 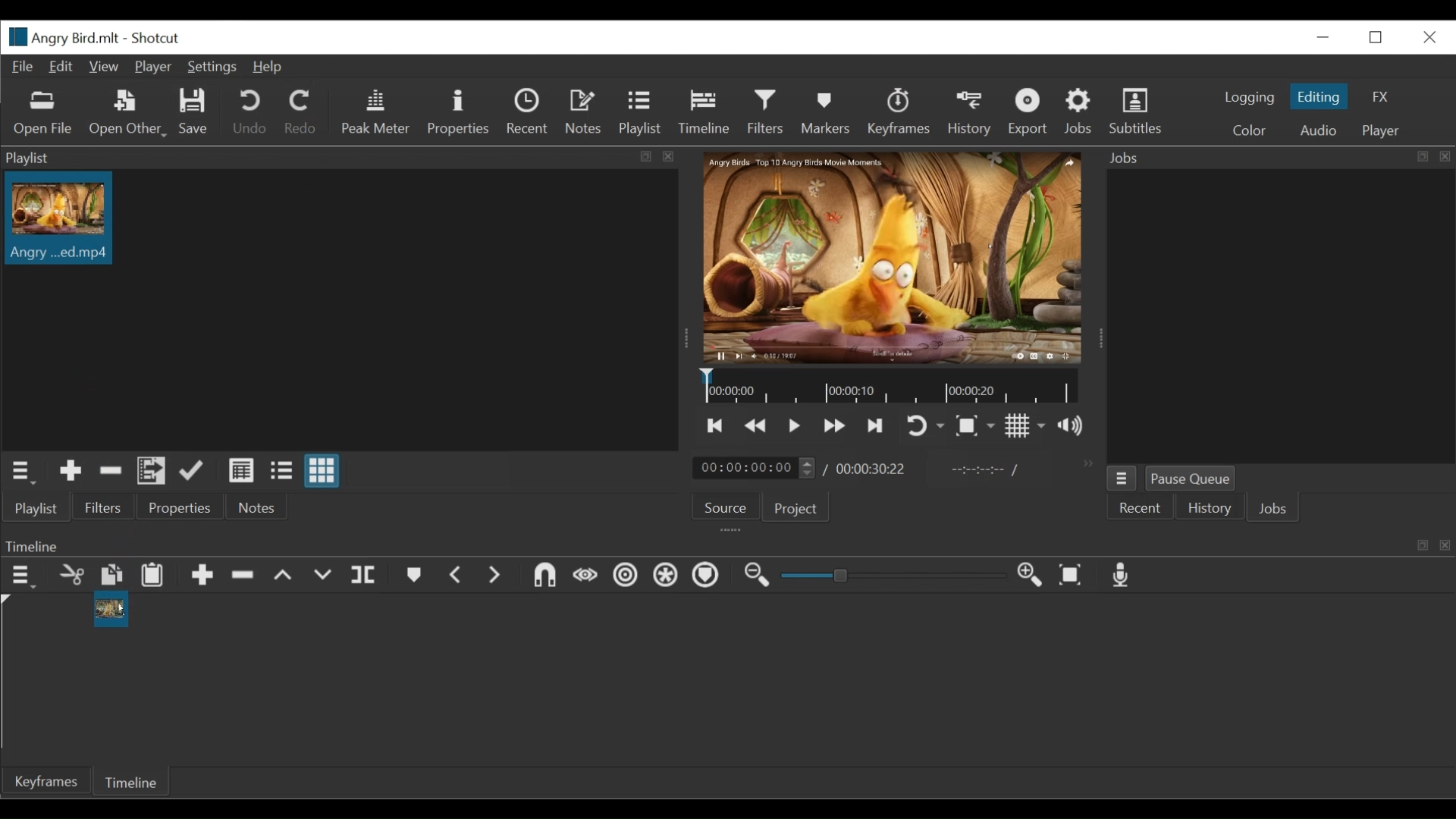 What do you see at coordinates (1027, 111) in the screenshot?
I see `Export` at bounding box center [1027, 111].